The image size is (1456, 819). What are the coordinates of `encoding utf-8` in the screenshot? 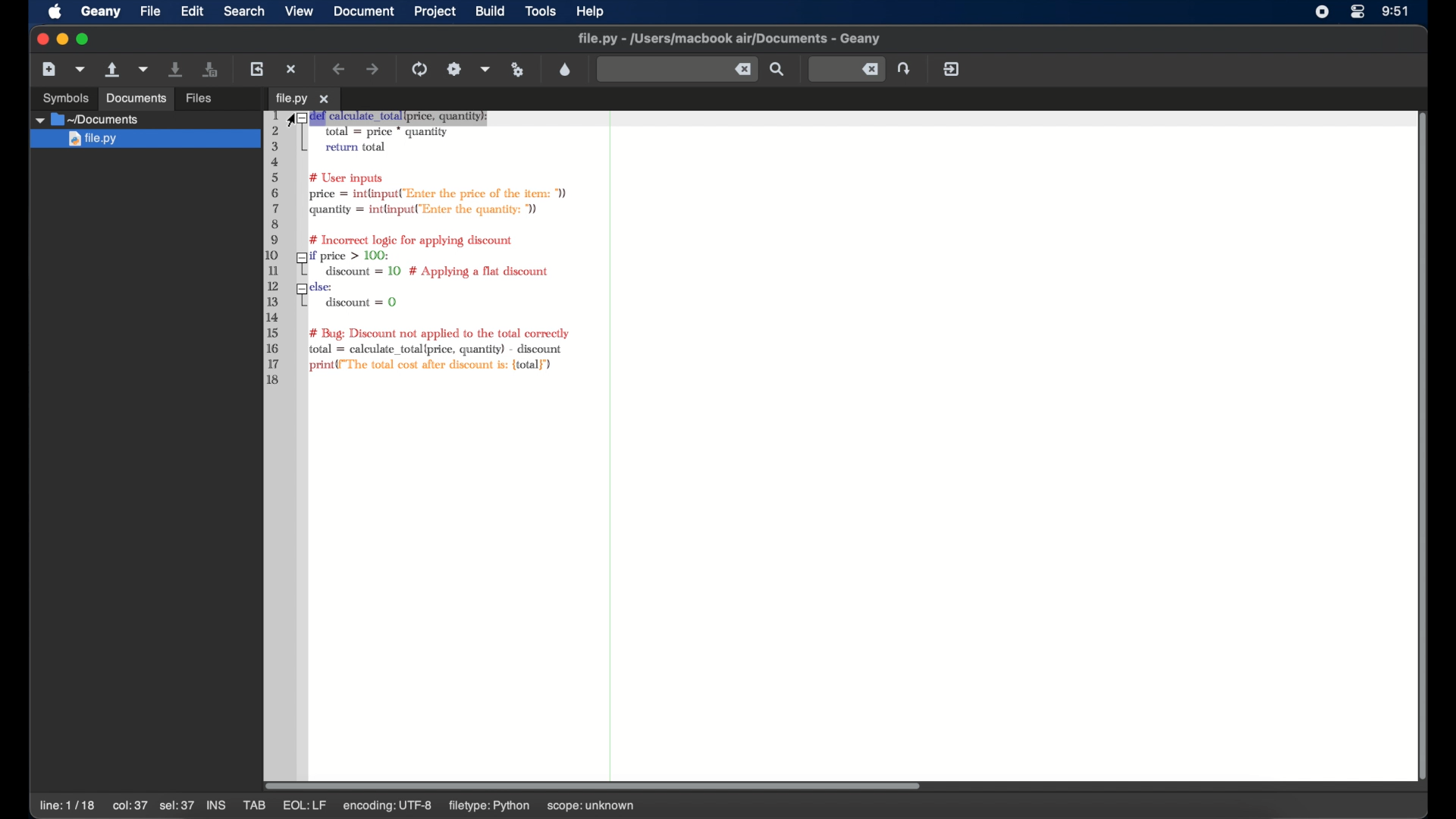 It's located at (388, 807).